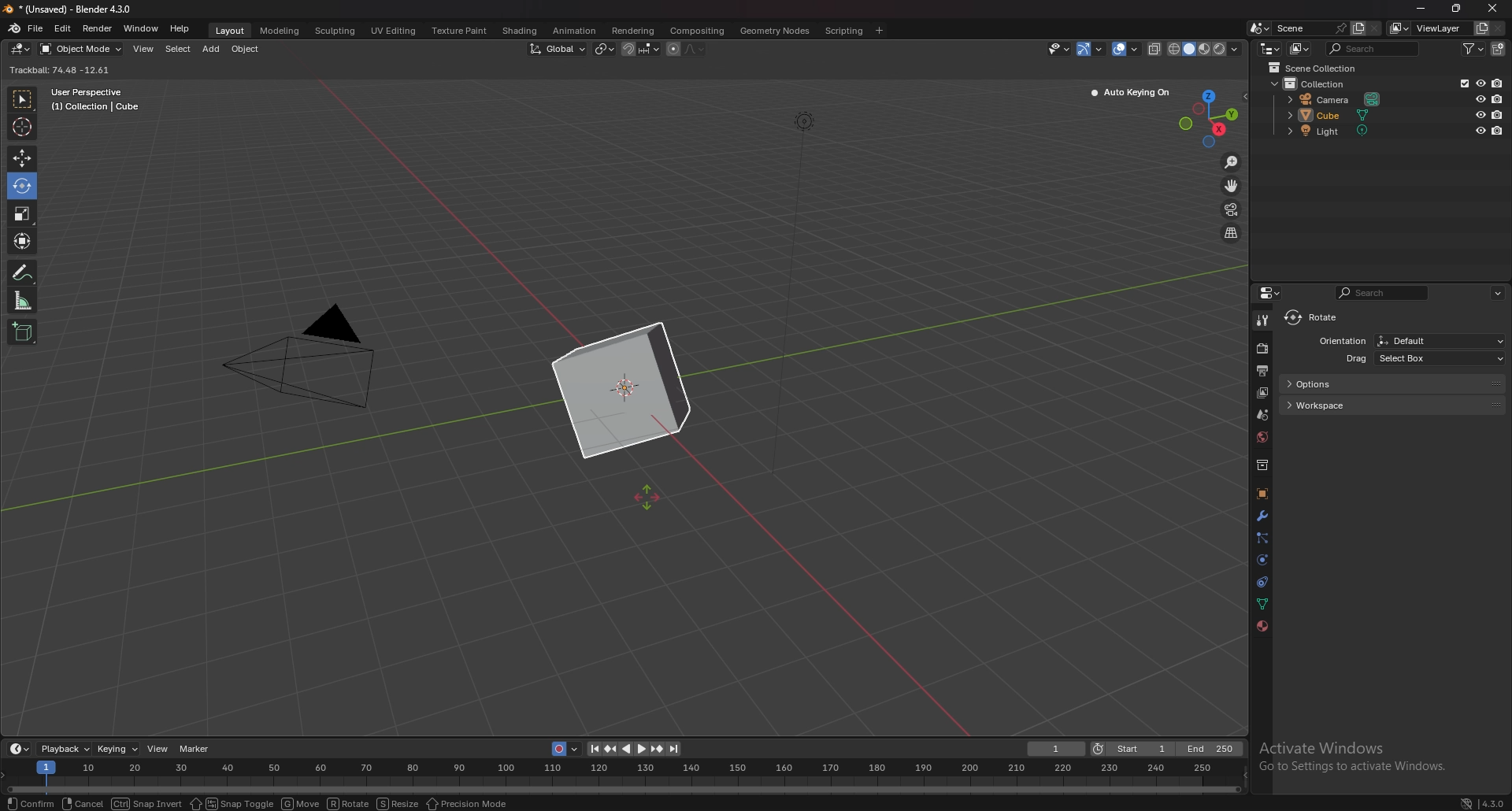 The image size is (1512, 811). Describe the element at coordinates (314, 358) in the screenshot. I see `camera` at that location.